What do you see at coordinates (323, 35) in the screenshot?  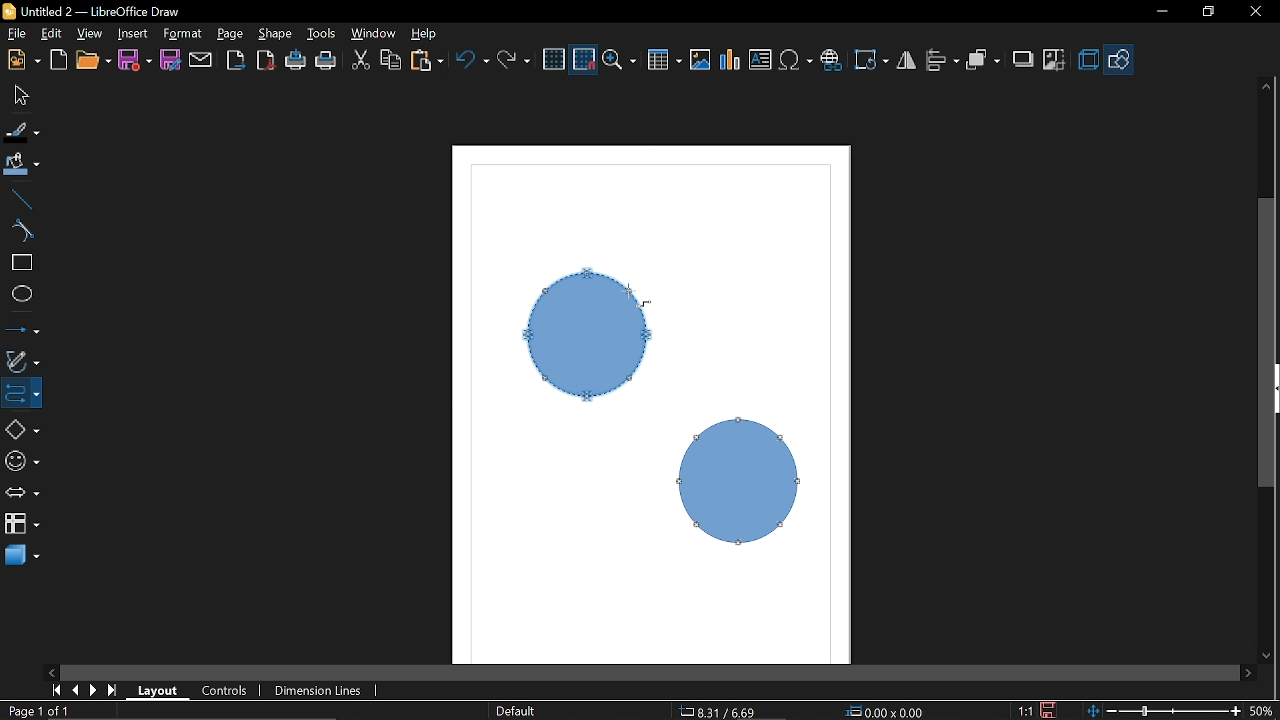 I see `Tools` at bounding box center [323, 35].